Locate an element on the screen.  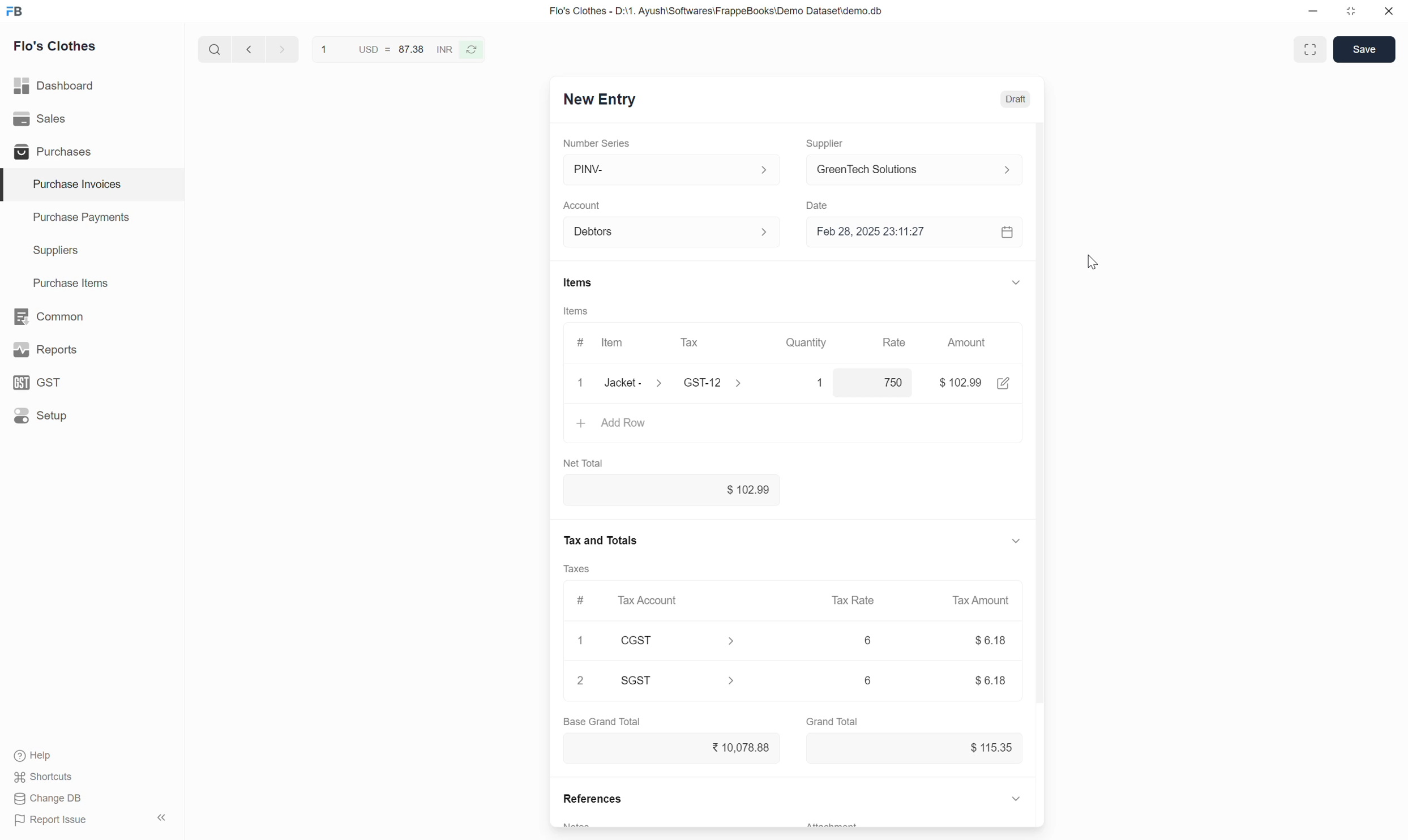
Change dimension is located at coordinates (1350, 11).